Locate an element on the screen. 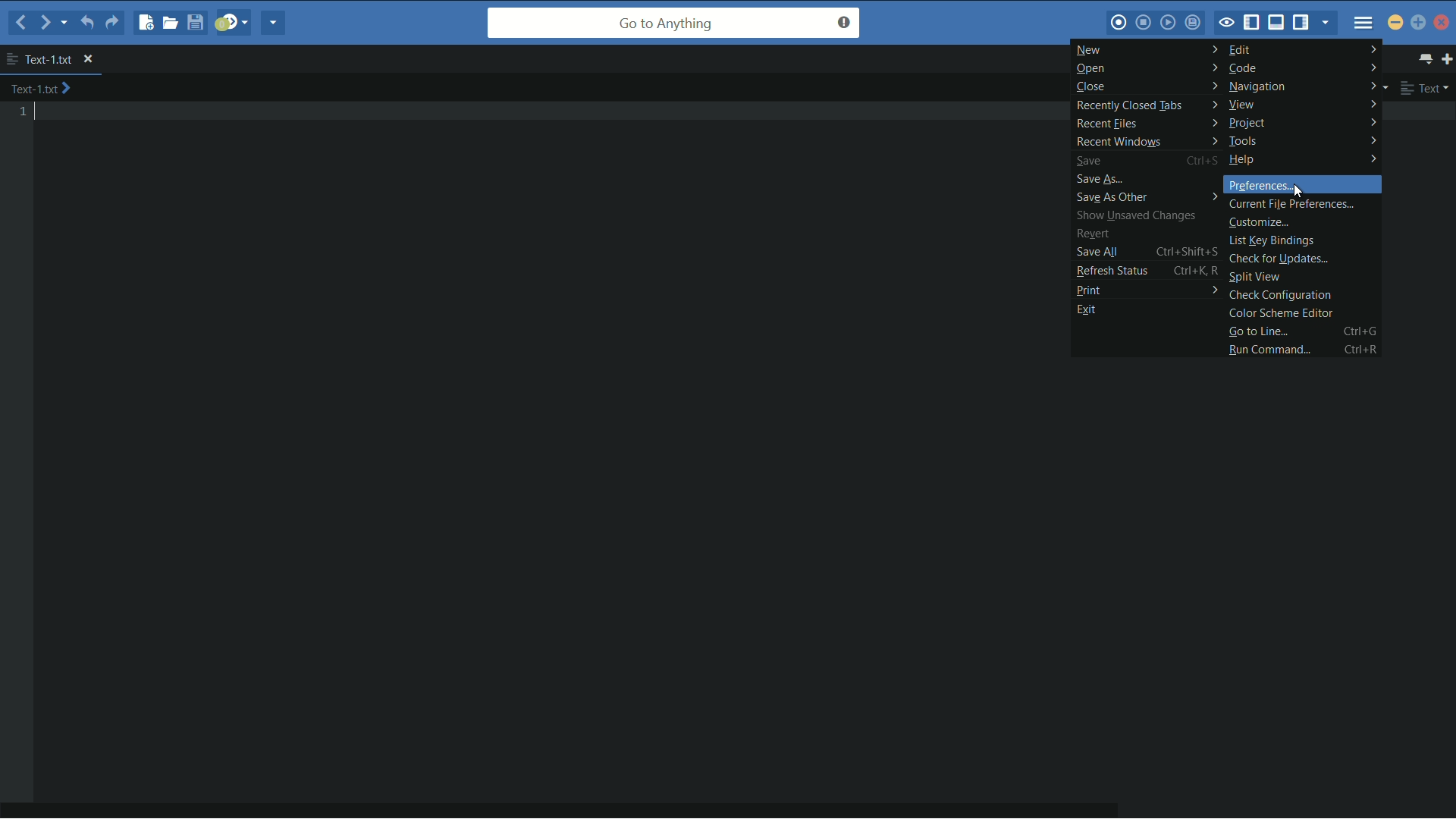  save all is located at coordinates (1096, 252).